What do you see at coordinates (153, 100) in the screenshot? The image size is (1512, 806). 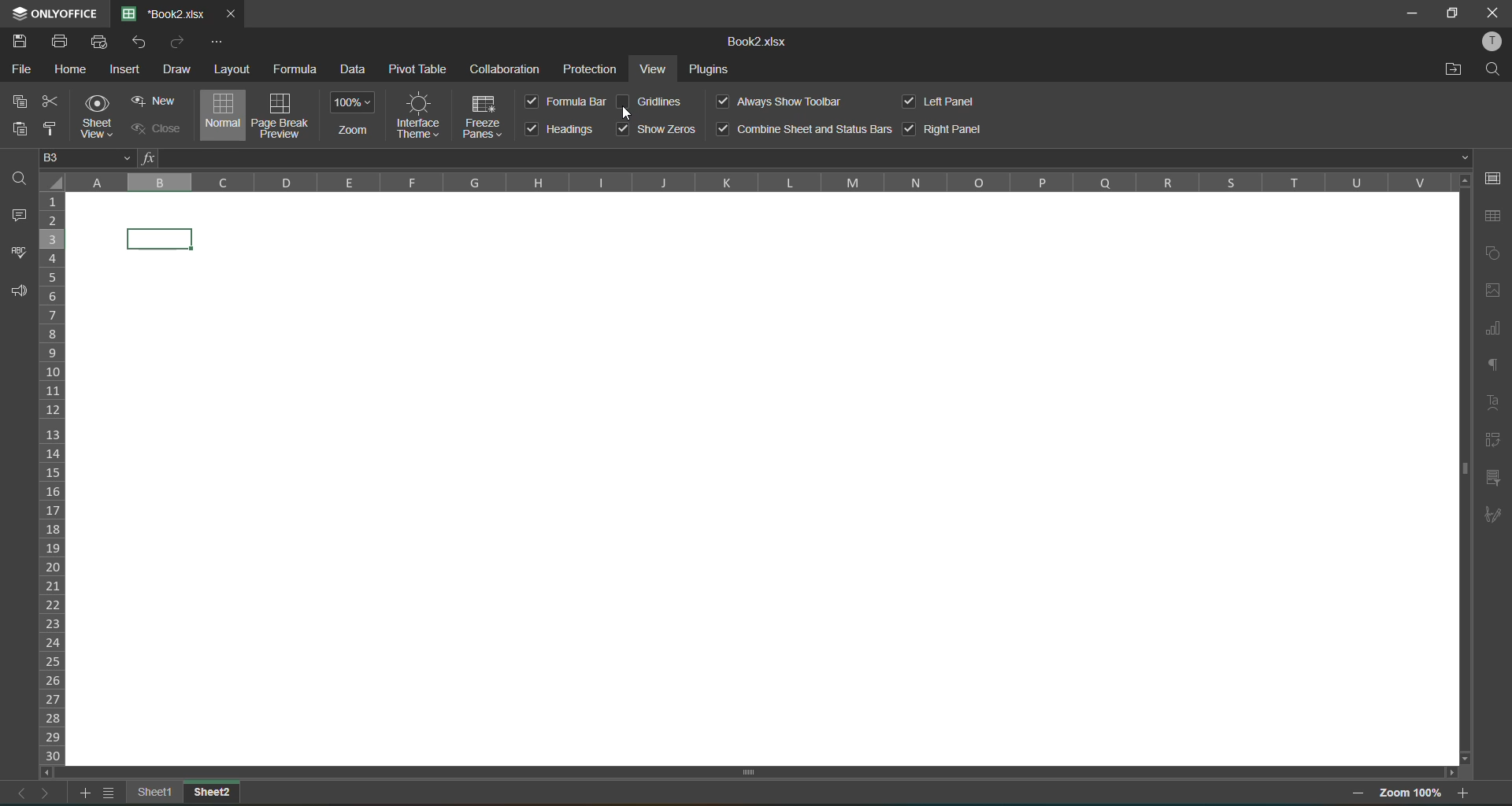 I see `new` at bounding box center [153, 100].